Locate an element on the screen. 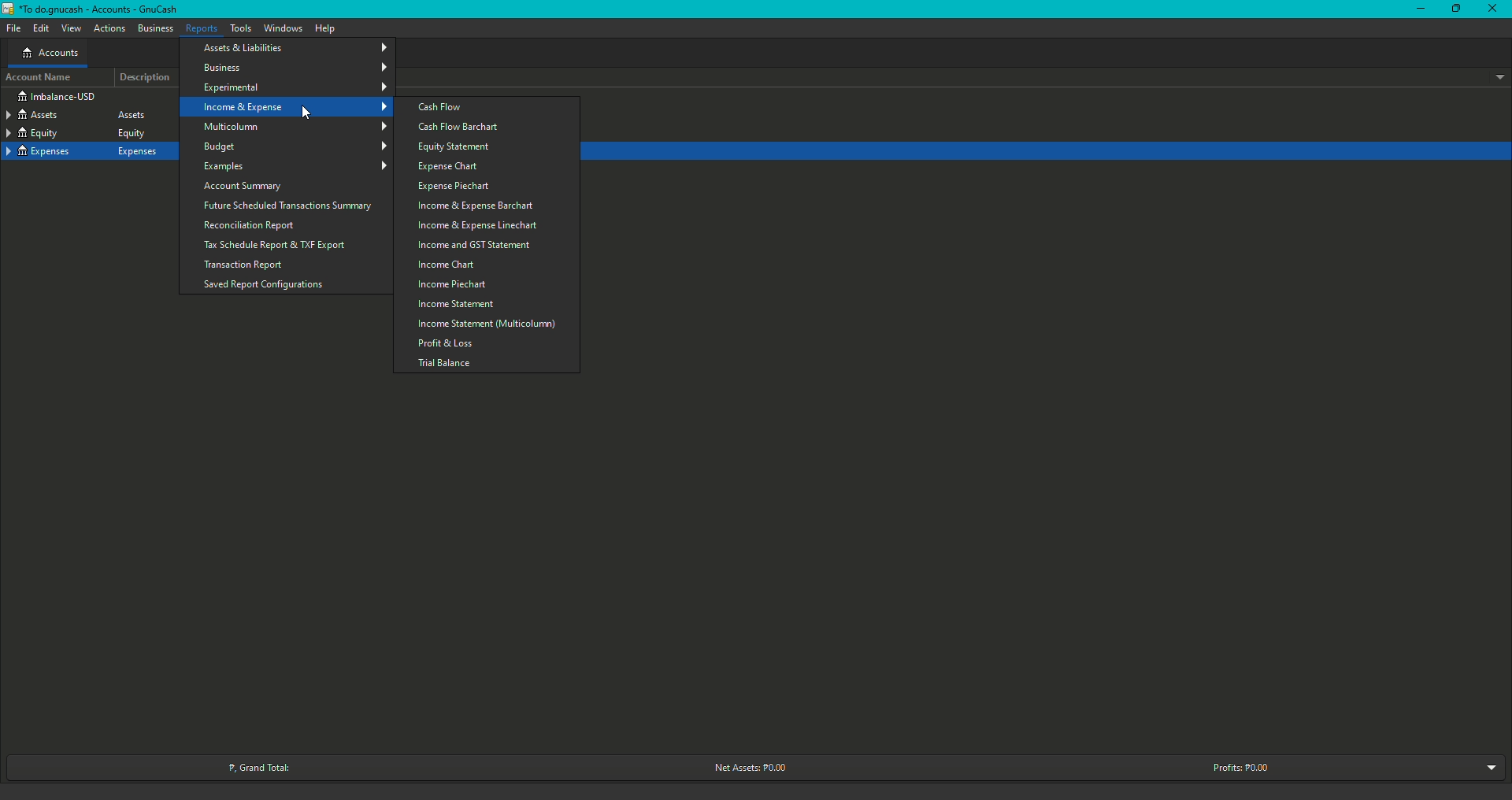 Image resolution: width=1512 pixels, height=800 pixels. Expense Piechart is located at coordinates (452, 187).